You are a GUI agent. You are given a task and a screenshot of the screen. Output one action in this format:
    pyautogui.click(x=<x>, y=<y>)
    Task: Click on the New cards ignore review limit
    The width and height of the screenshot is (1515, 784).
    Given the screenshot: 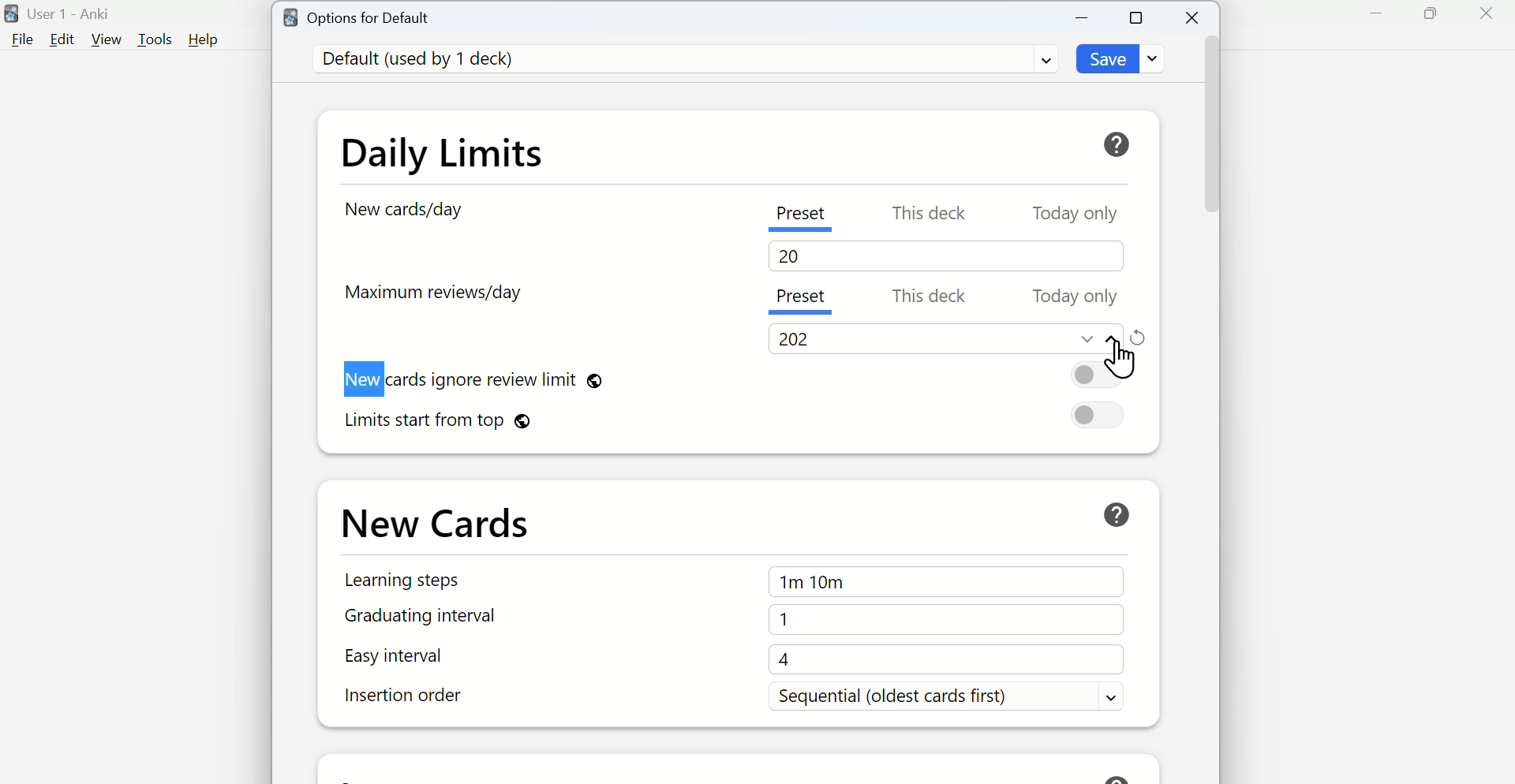 What is the action you would take?
    pyautogui.click(x=739, y=375)
    